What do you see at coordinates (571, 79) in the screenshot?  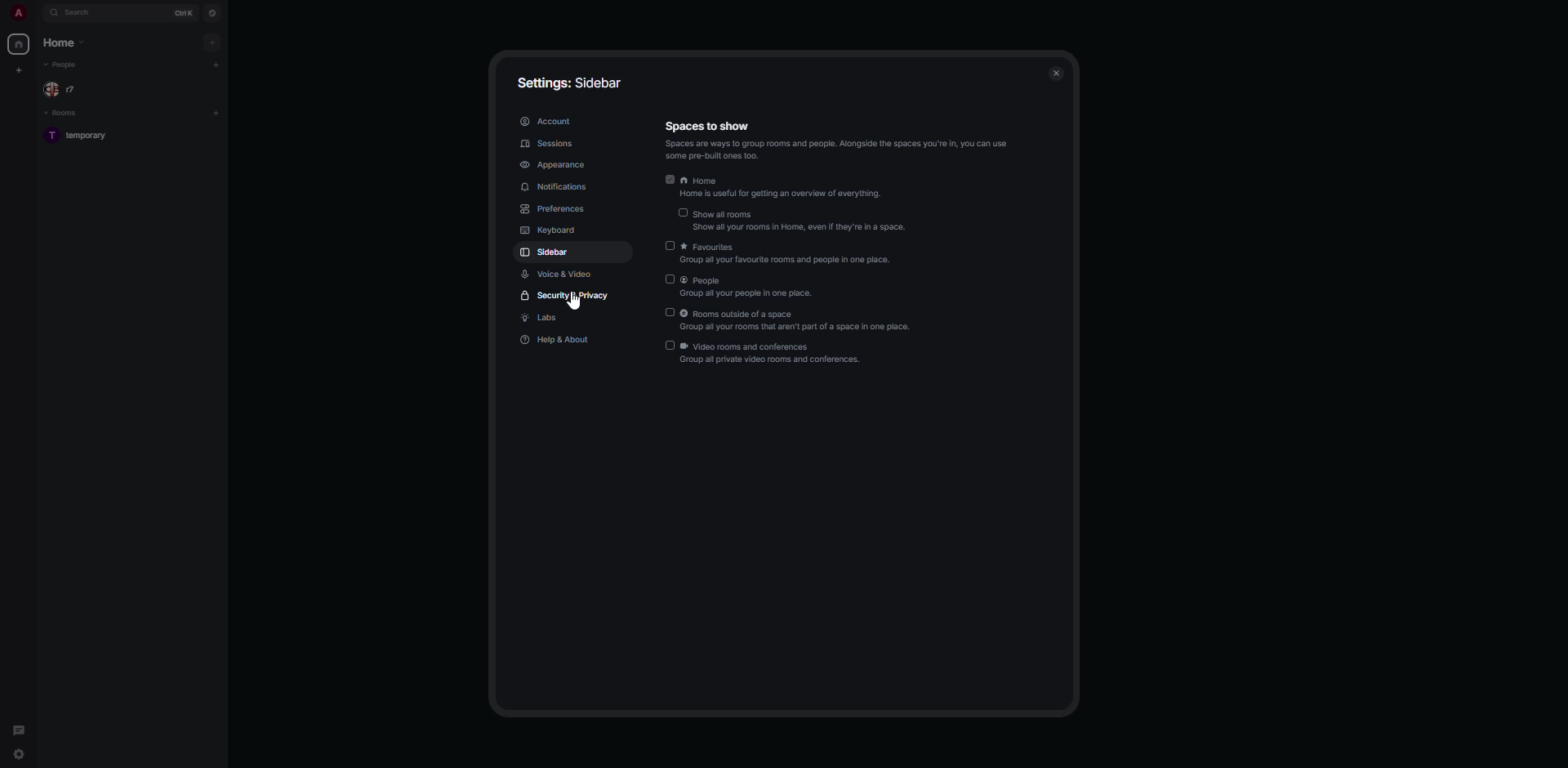 I see `settings: sidebar` at bounding box center [571, 79].